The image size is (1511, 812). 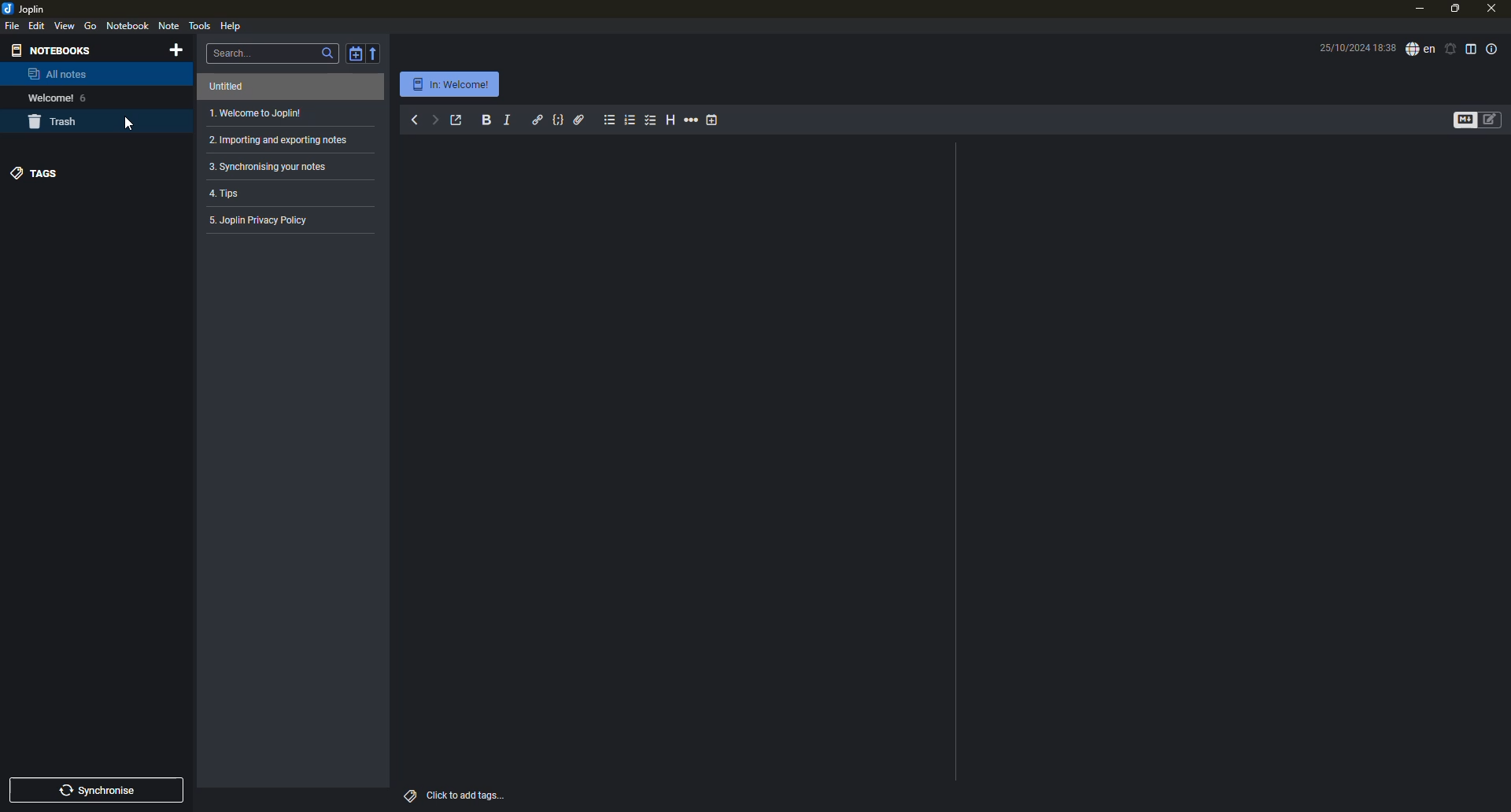 I want to click on toggle sort order field, so click(x=354, y=54).